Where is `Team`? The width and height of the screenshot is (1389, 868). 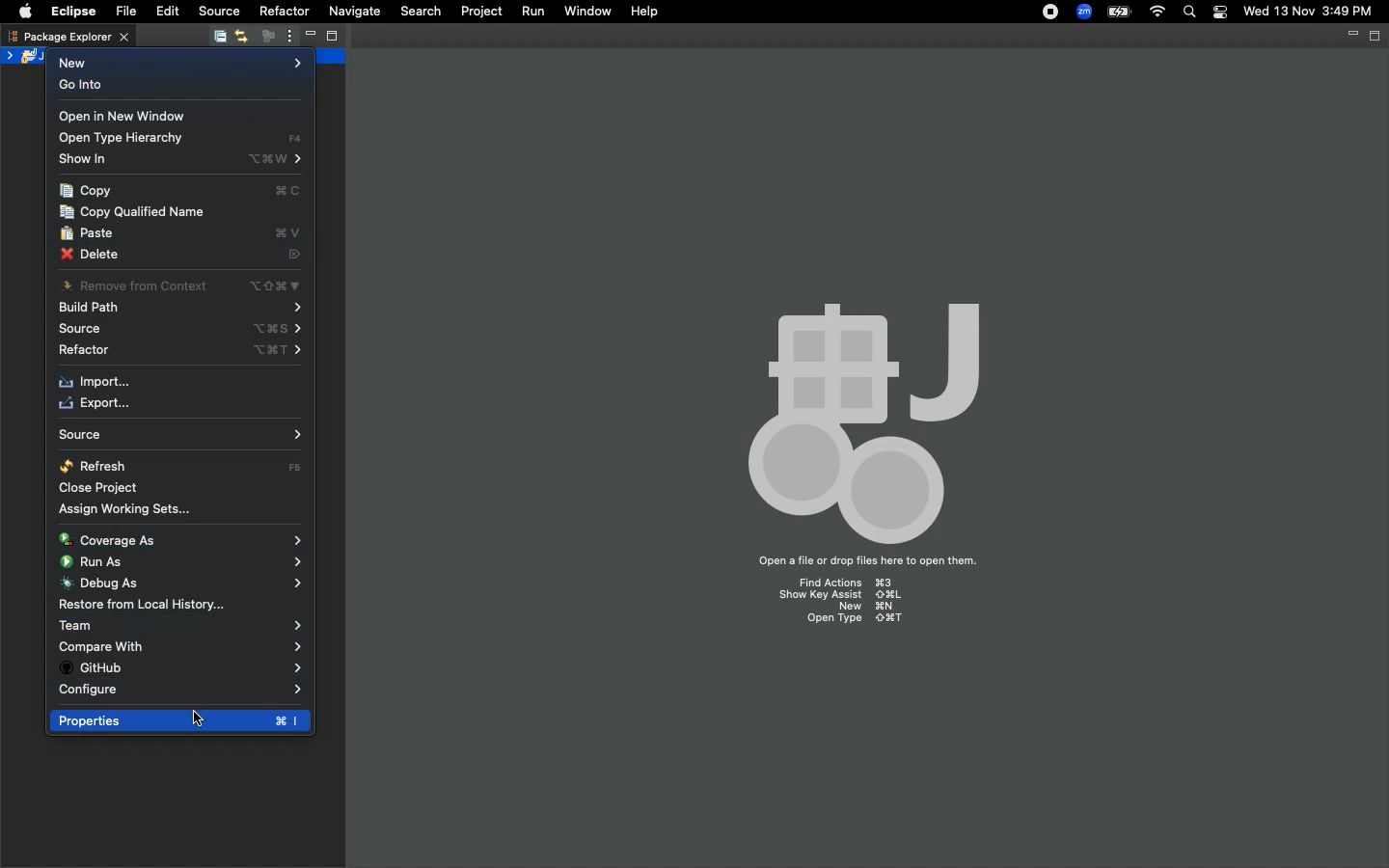
Team is located at coordinates (182, 626).